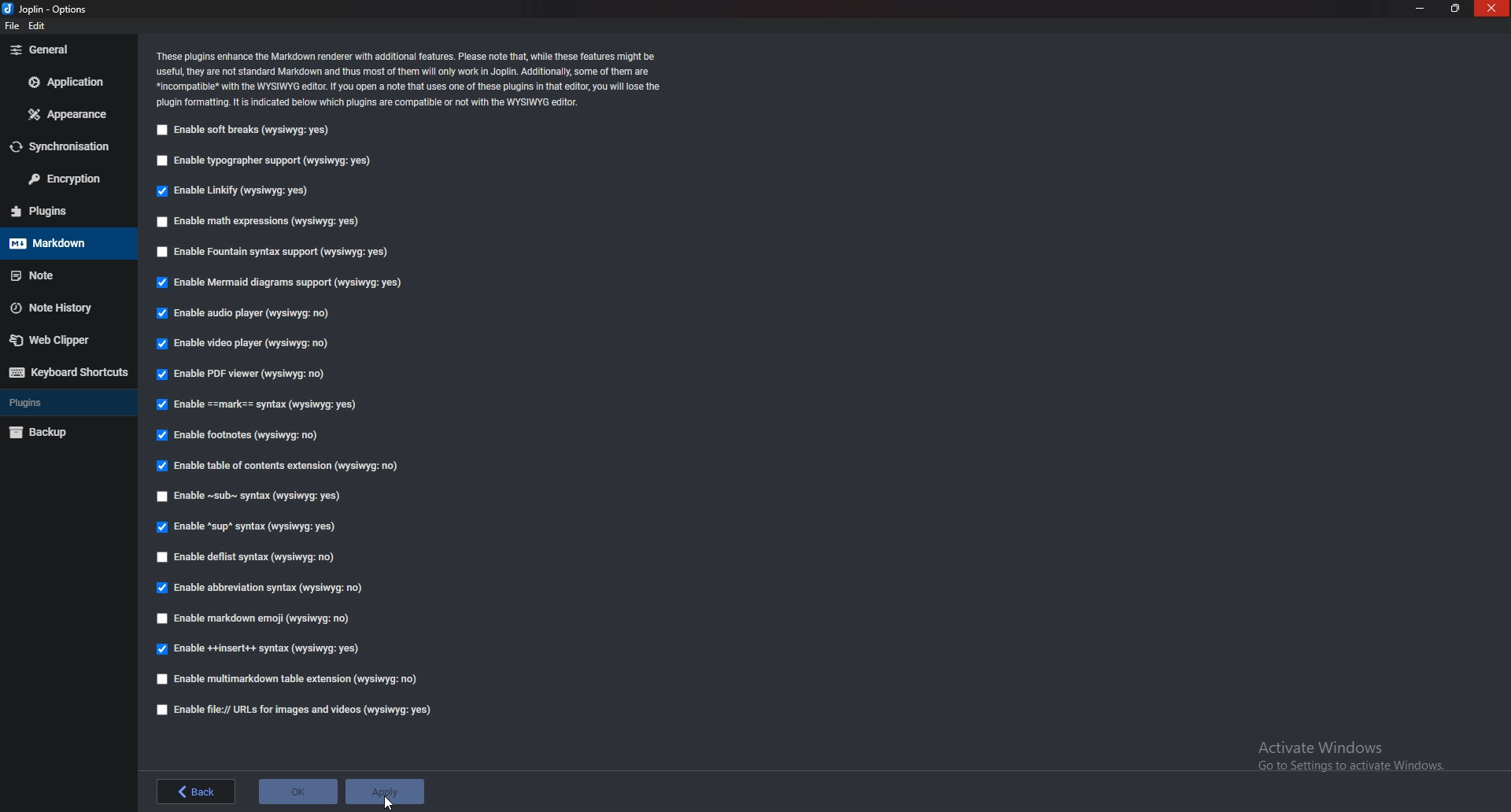  What do you see at coordinates (242, 314) in the screenshot?
I see `Enable audio player` at bounding box center [242, 314].